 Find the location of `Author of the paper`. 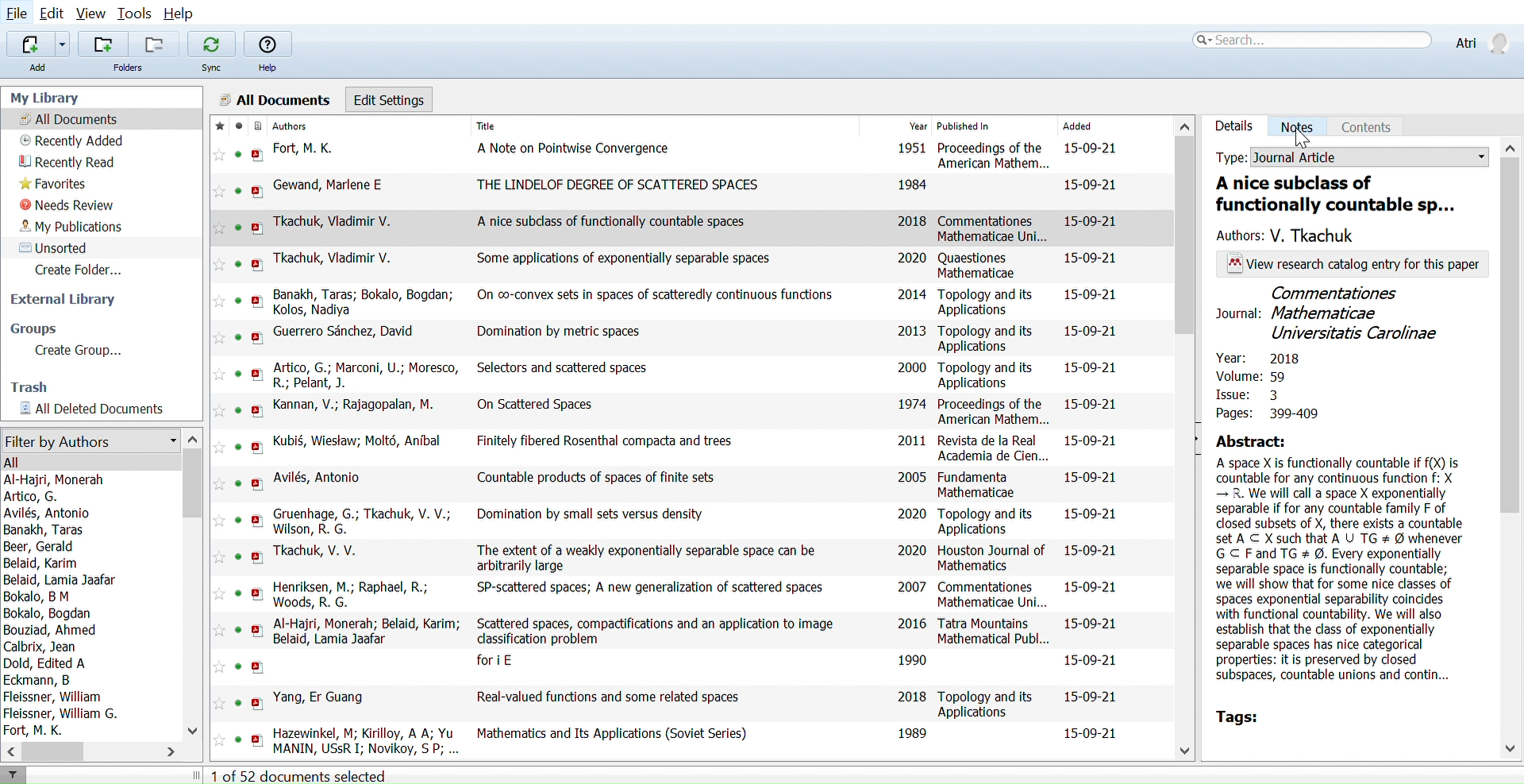

Author of the paper is located at coordinates (1294, 234).